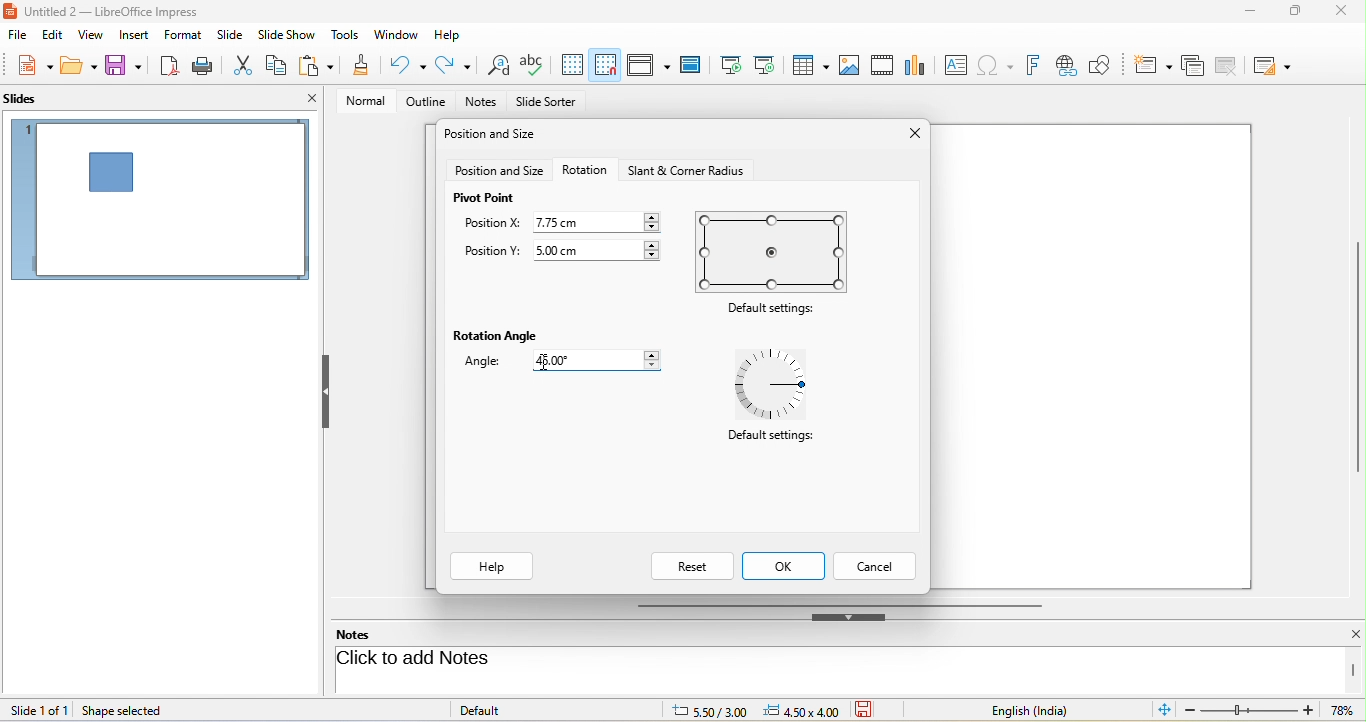  I want to click on close, so click(312, 98).